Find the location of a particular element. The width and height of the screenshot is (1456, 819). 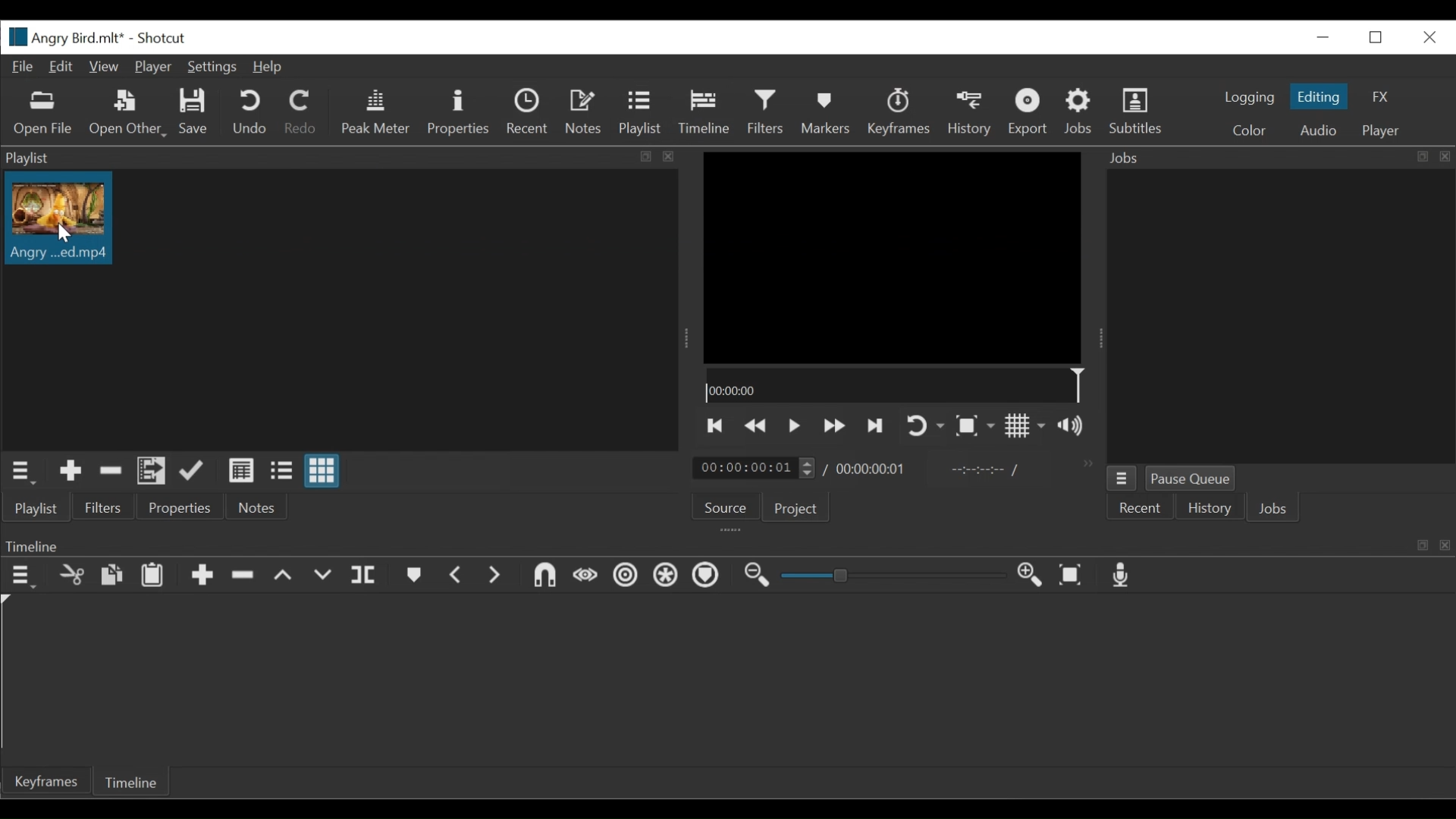

Remove cut is located at coordinates (111, 472).